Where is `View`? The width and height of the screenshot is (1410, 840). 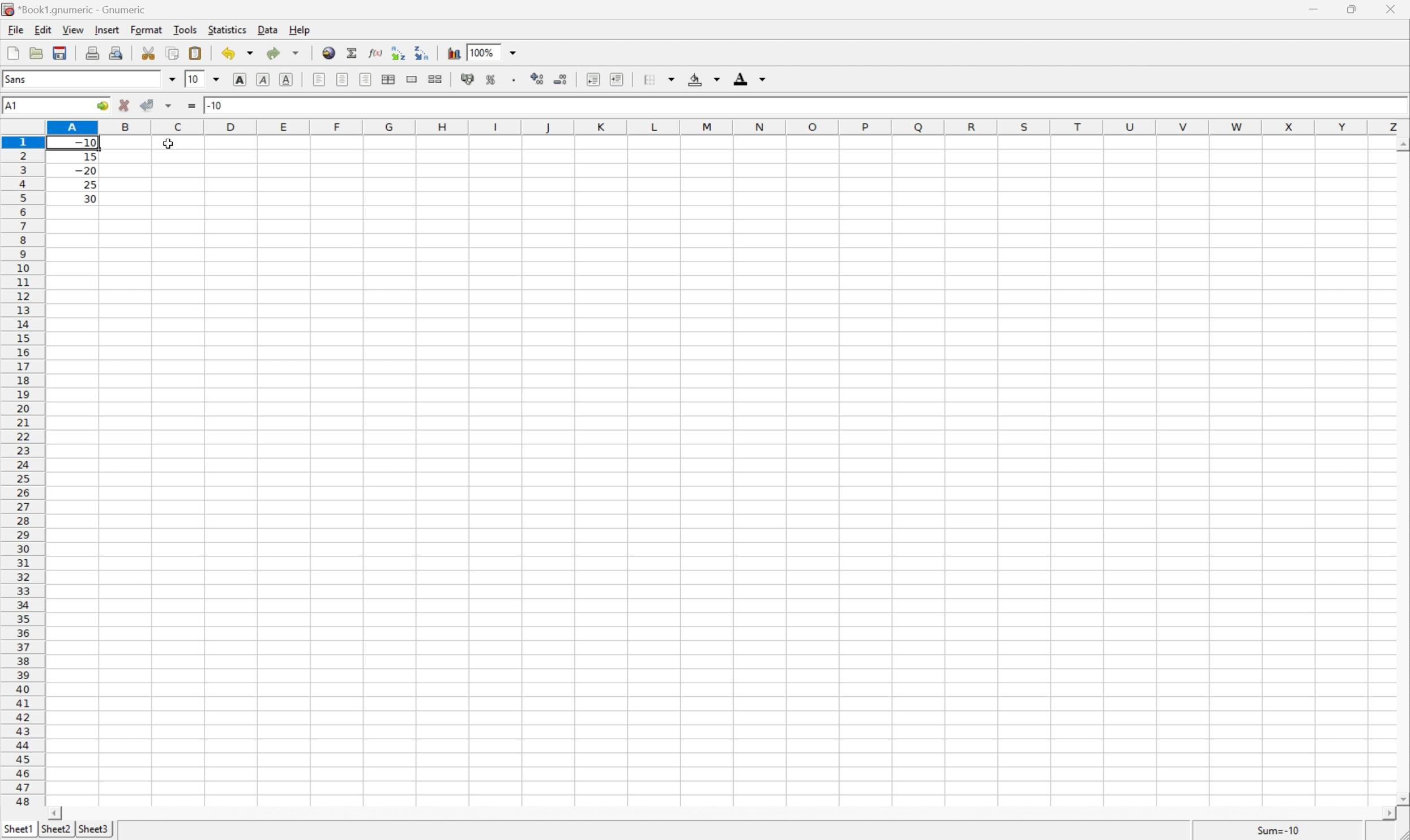
View is located at coordinates (73, 30).